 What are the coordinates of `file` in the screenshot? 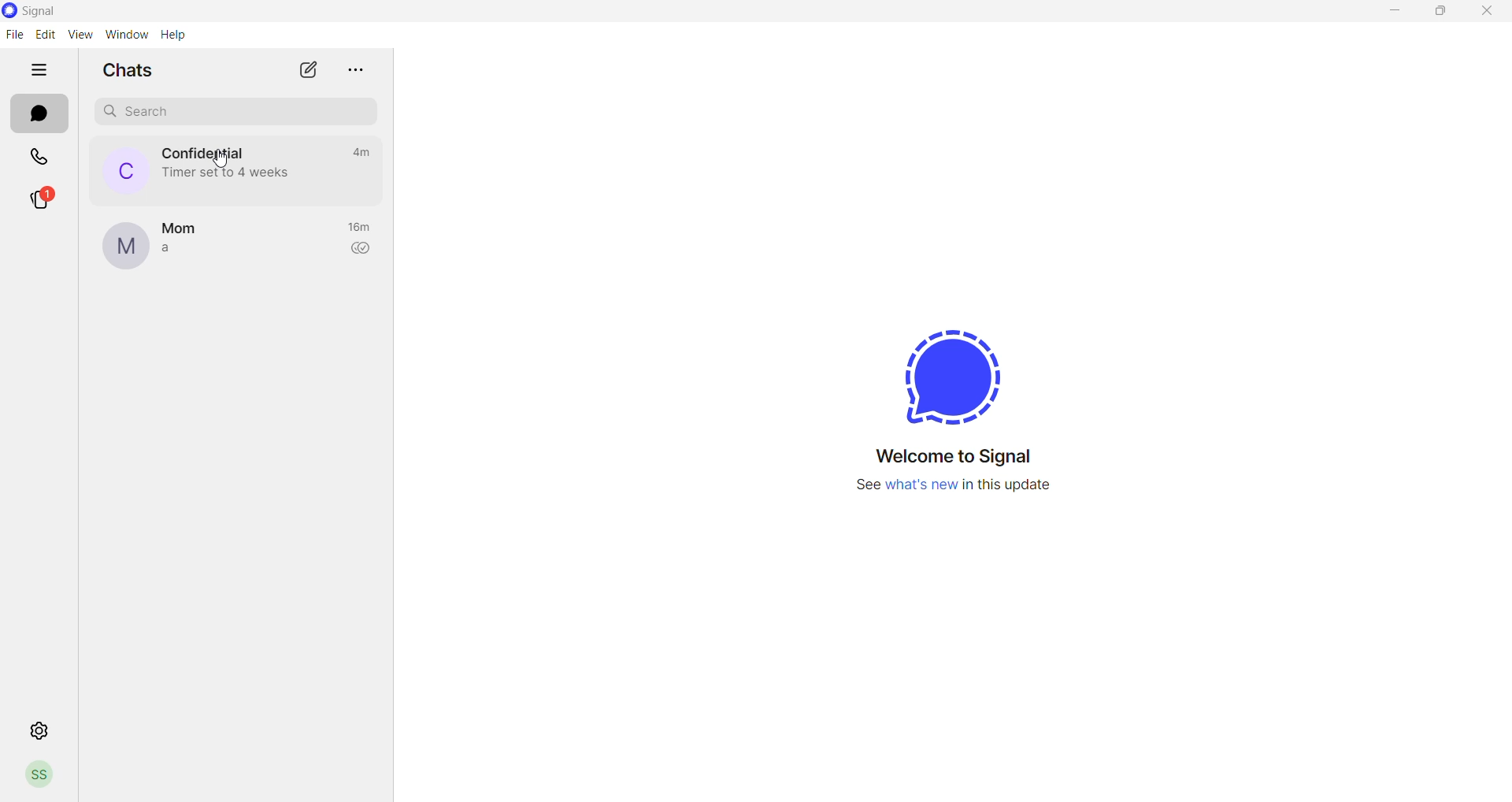 It's located at (13, 35).